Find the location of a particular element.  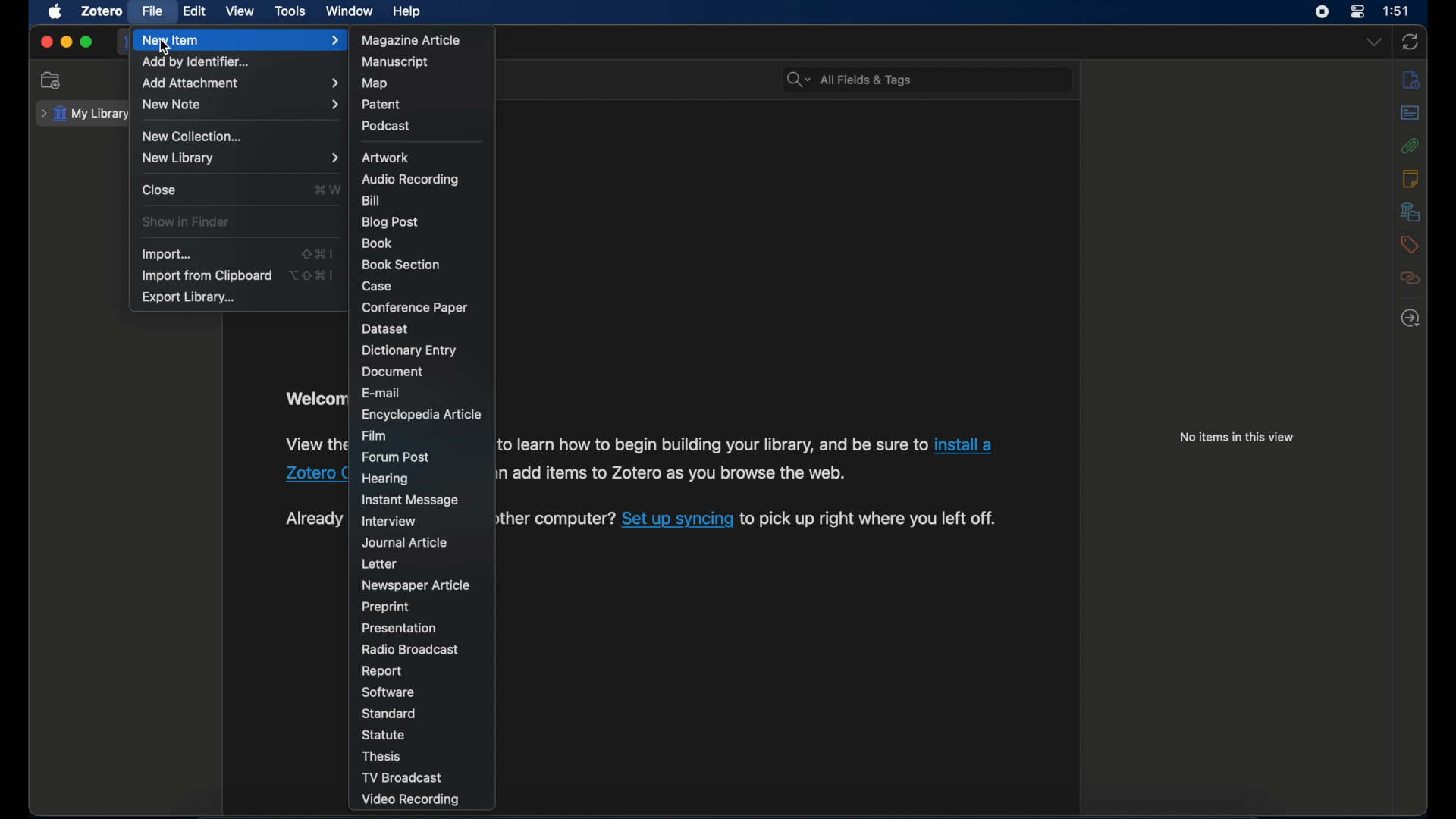

podcast is located at coordinates (386, 125).